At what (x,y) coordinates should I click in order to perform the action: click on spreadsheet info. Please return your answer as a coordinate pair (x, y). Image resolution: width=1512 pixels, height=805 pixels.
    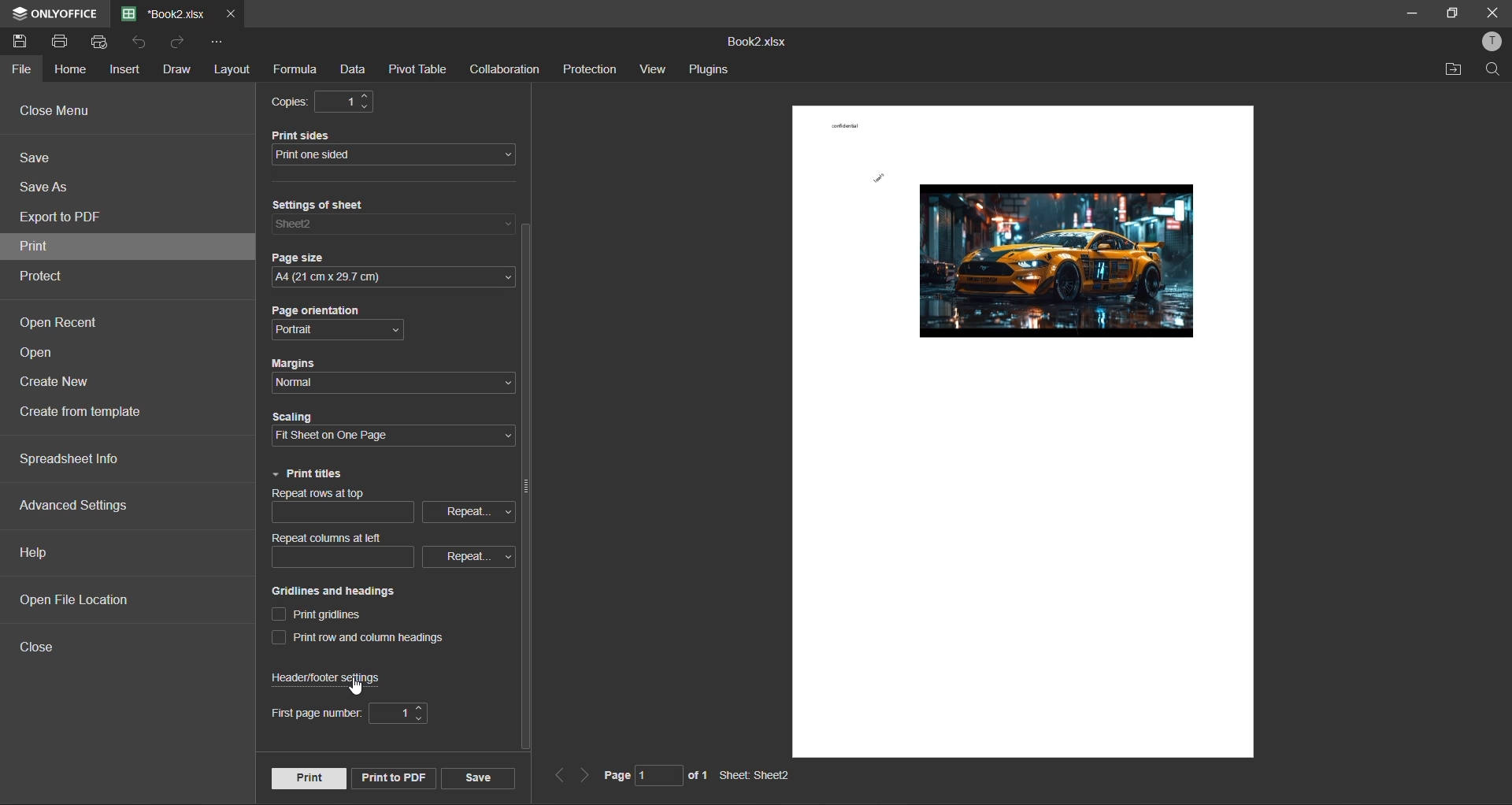
    Looking at the image, I should click on (71, 458).